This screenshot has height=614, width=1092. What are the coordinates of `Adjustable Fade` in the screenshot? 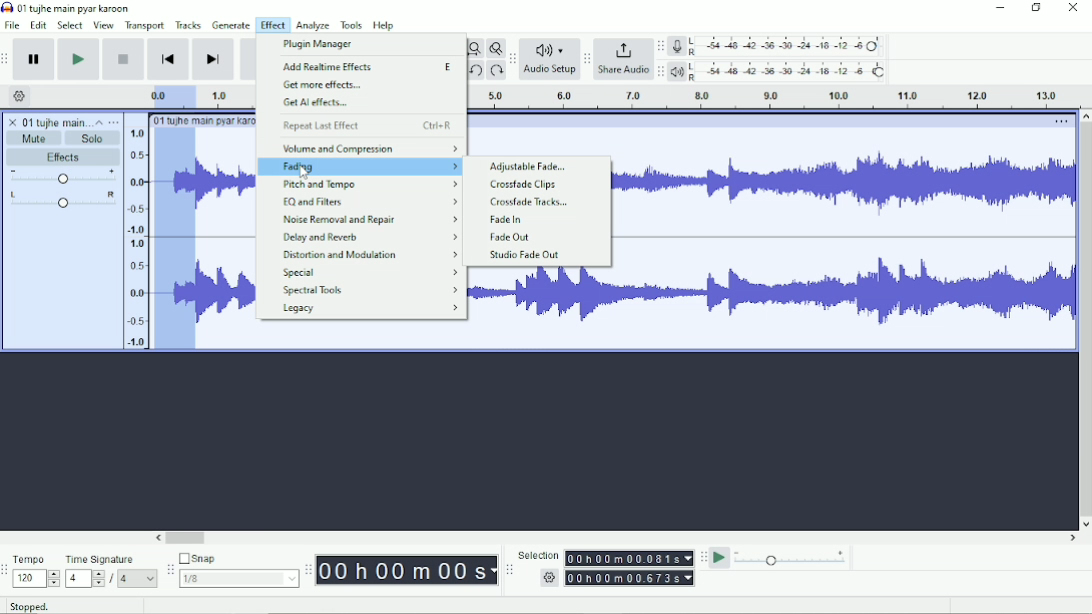 It's located at (528, 167).